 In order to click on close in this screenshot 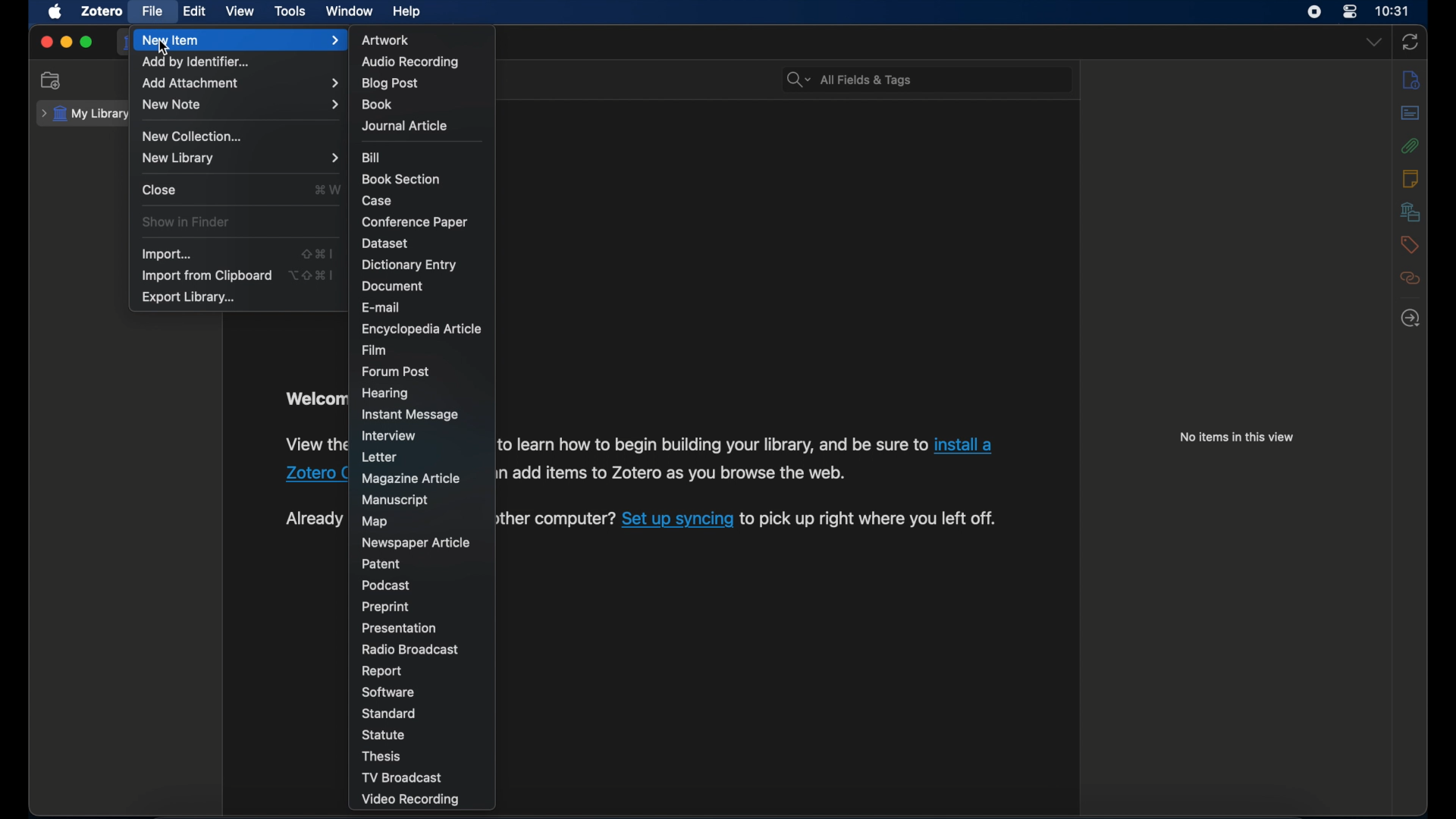, I will do `click(45, 43)`.